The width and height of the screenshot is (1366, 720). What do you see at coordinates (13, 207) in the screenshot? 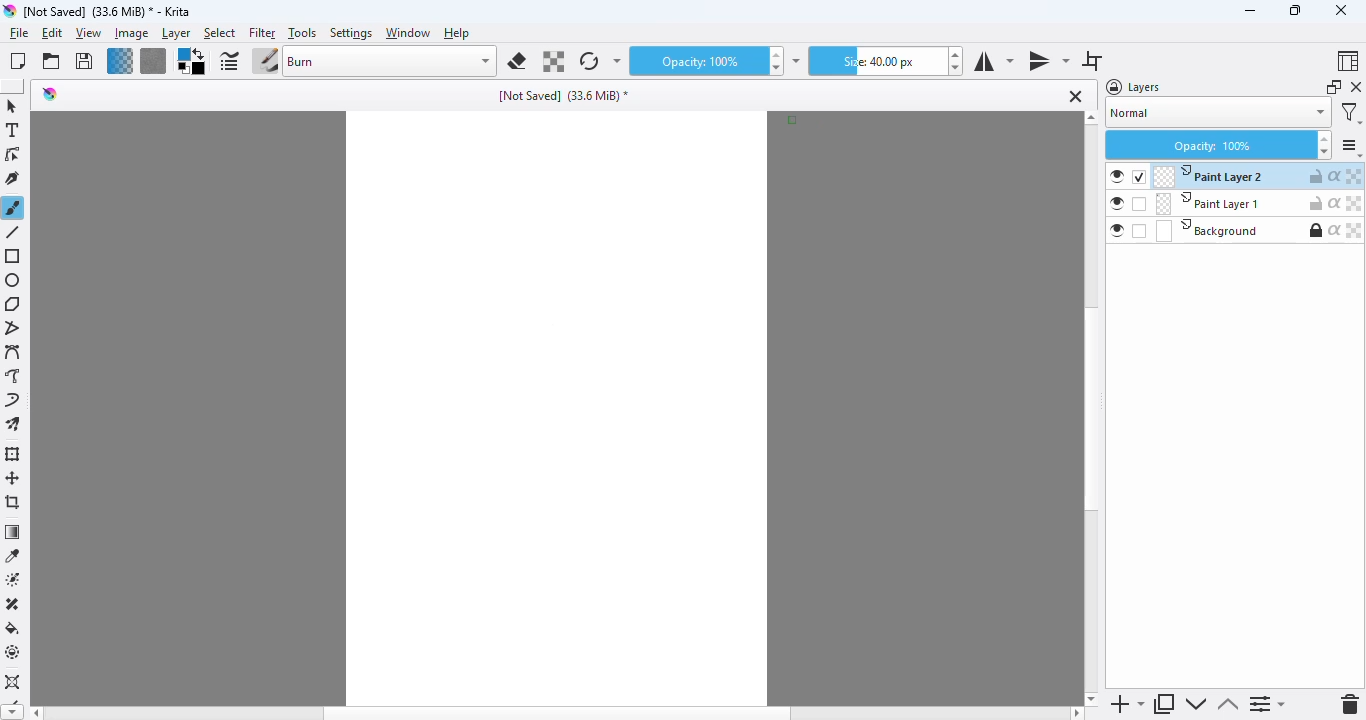
I see `freehand brush tool` at bounding box center [13, 207].